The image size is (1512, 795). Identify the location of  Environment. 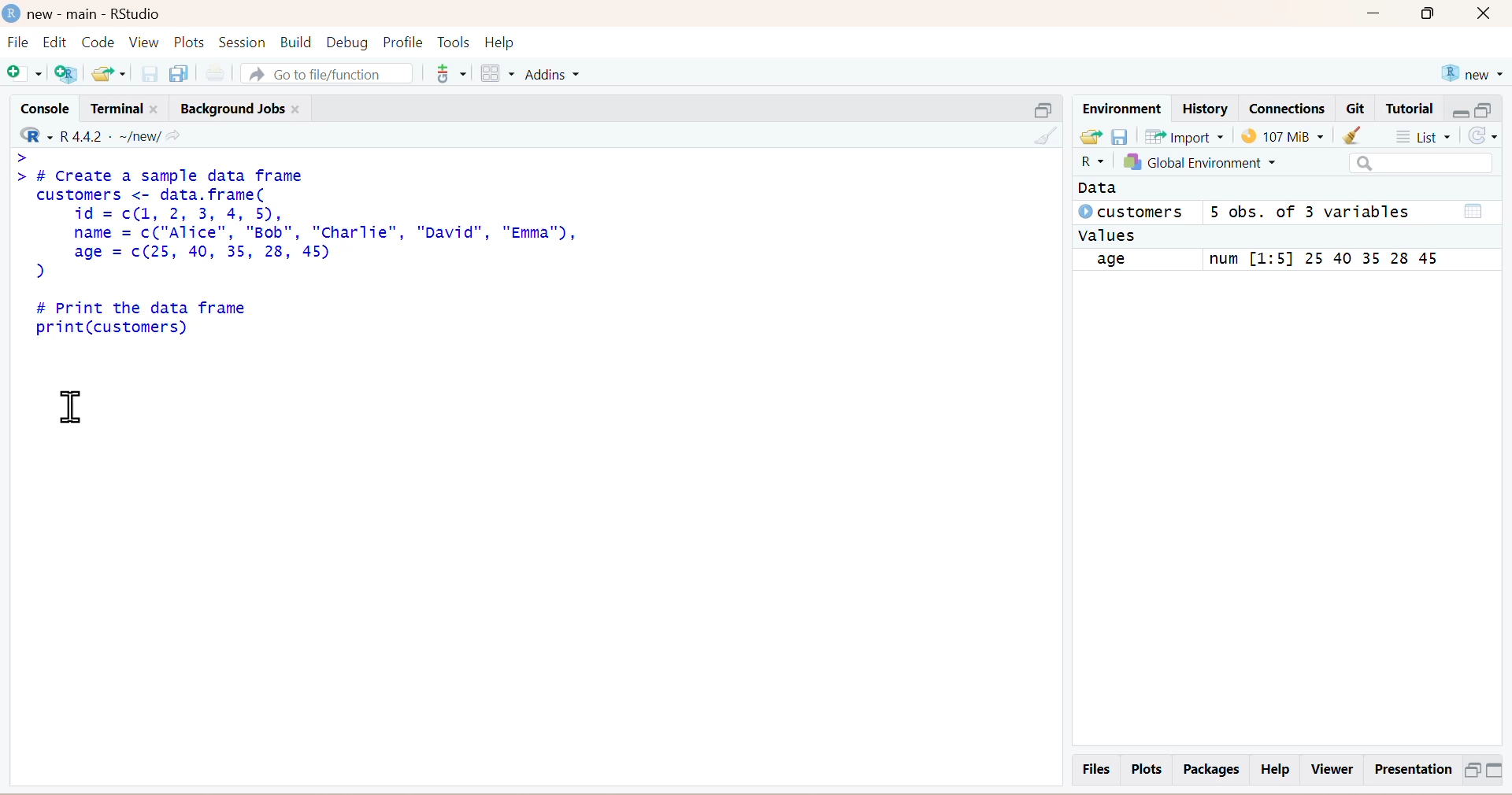
(1121, 107).